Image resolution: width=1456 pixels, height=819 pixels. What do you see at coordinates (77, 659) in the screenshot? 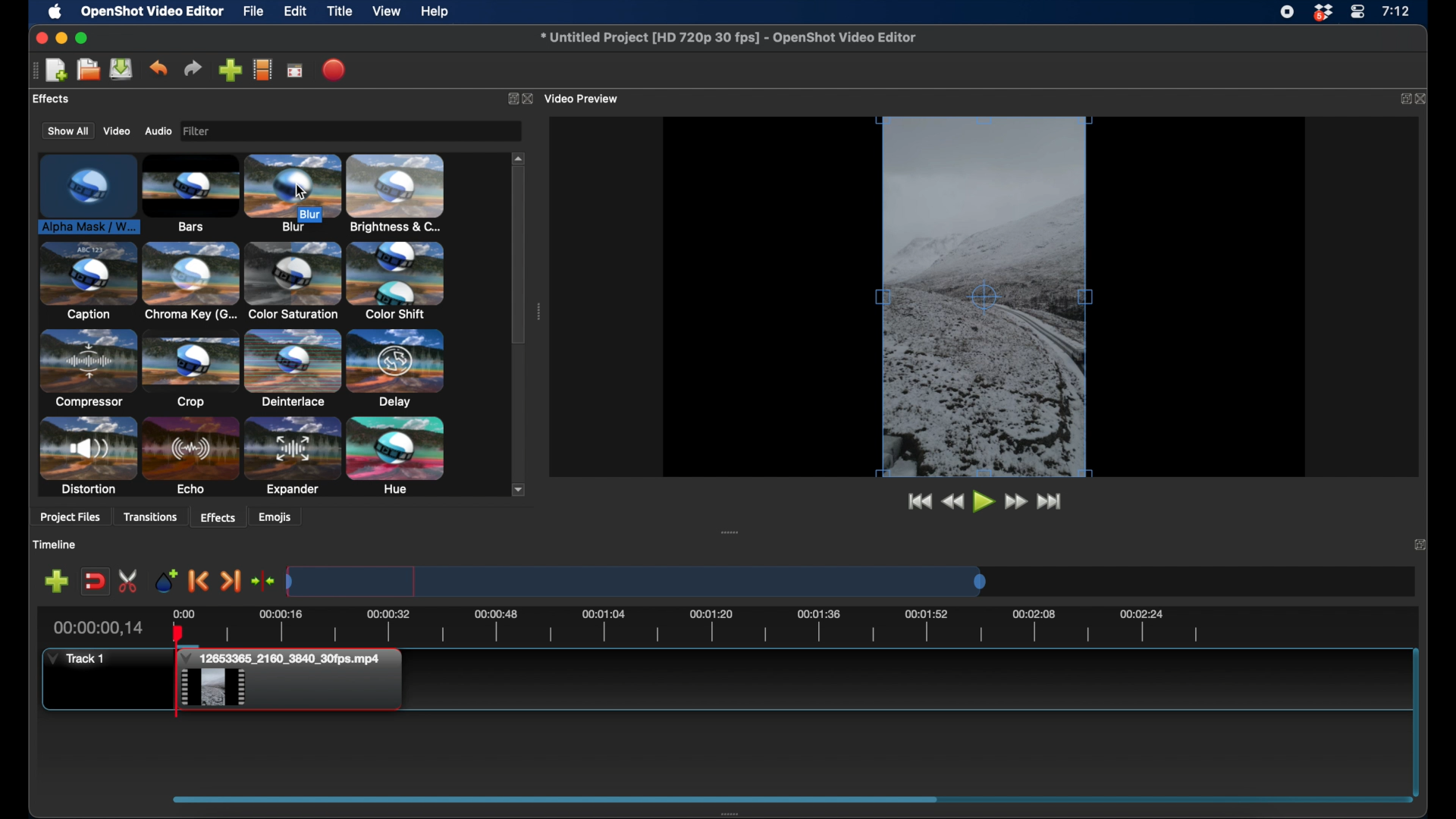
I see `track 1` at bounding box center [77, 659].